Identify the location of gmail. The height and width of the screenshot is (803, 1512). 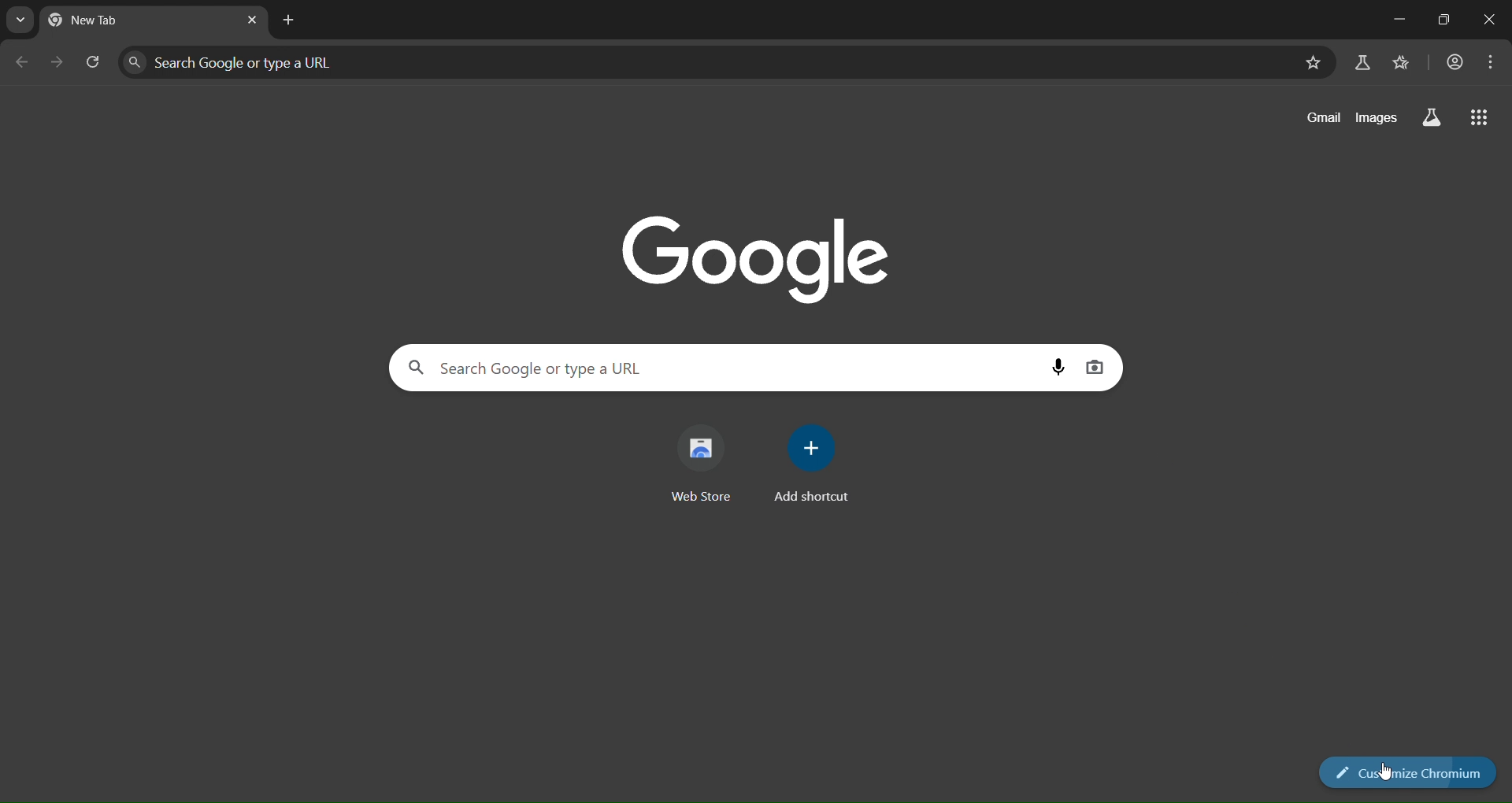
(1324, 119).